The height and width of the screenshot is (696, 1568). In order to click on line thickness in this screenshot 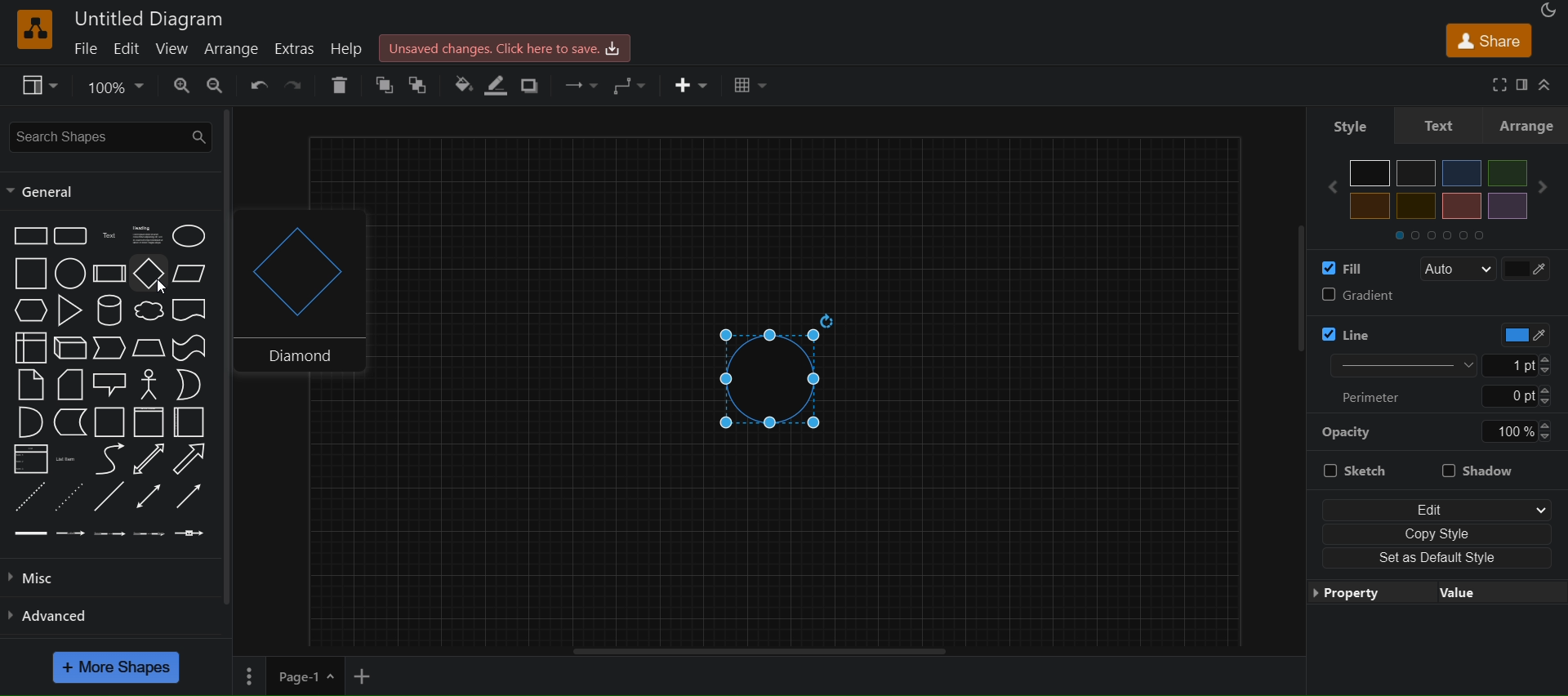, I will do `click(1392, 364)`.